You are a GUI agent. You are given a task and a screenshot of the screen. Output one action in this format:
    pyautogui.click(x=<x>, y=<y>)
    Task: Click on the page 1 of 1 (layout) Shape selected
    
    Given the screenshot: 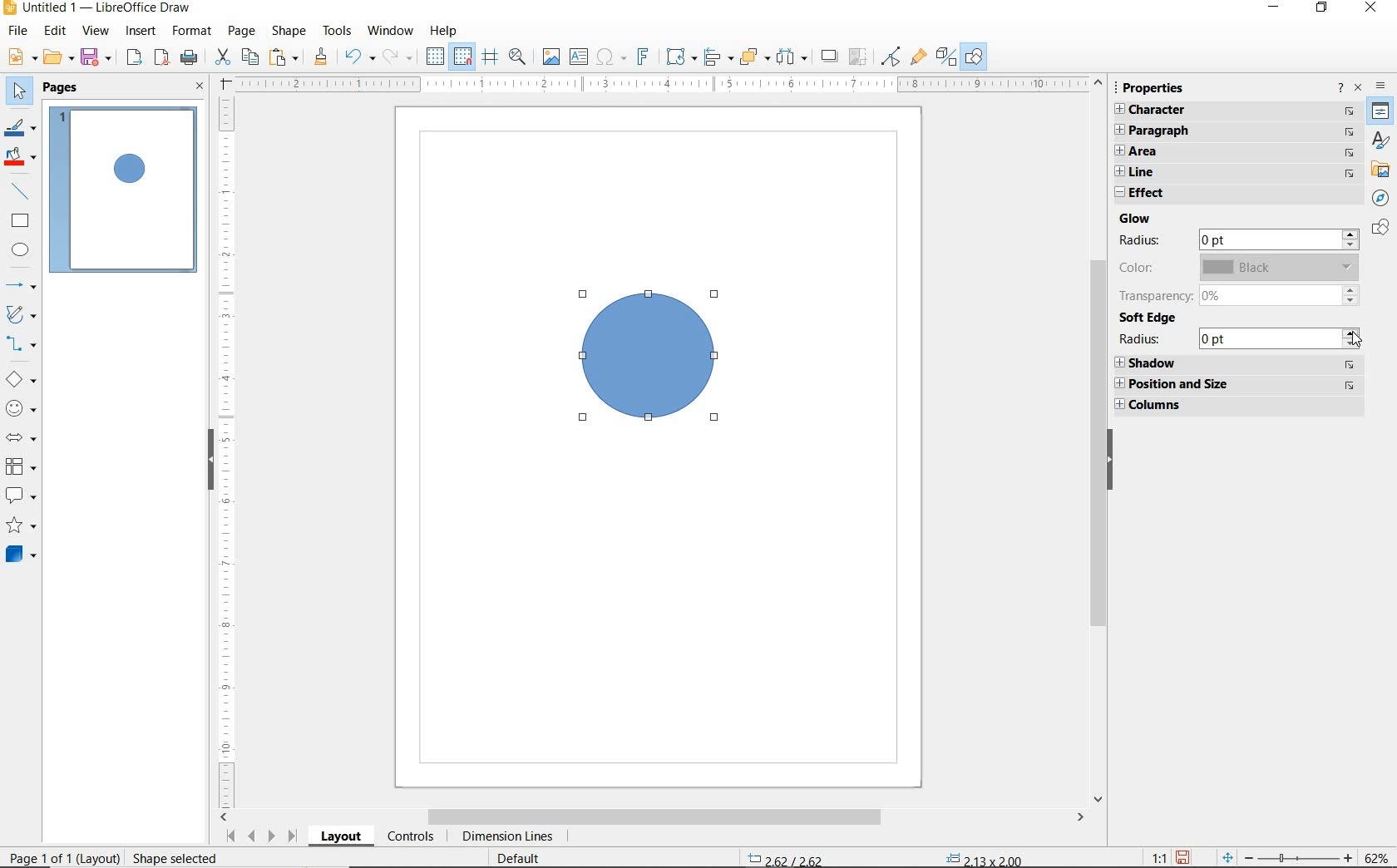 What is the action you would take?
    pyautogui.click(x=118, y=859)
    